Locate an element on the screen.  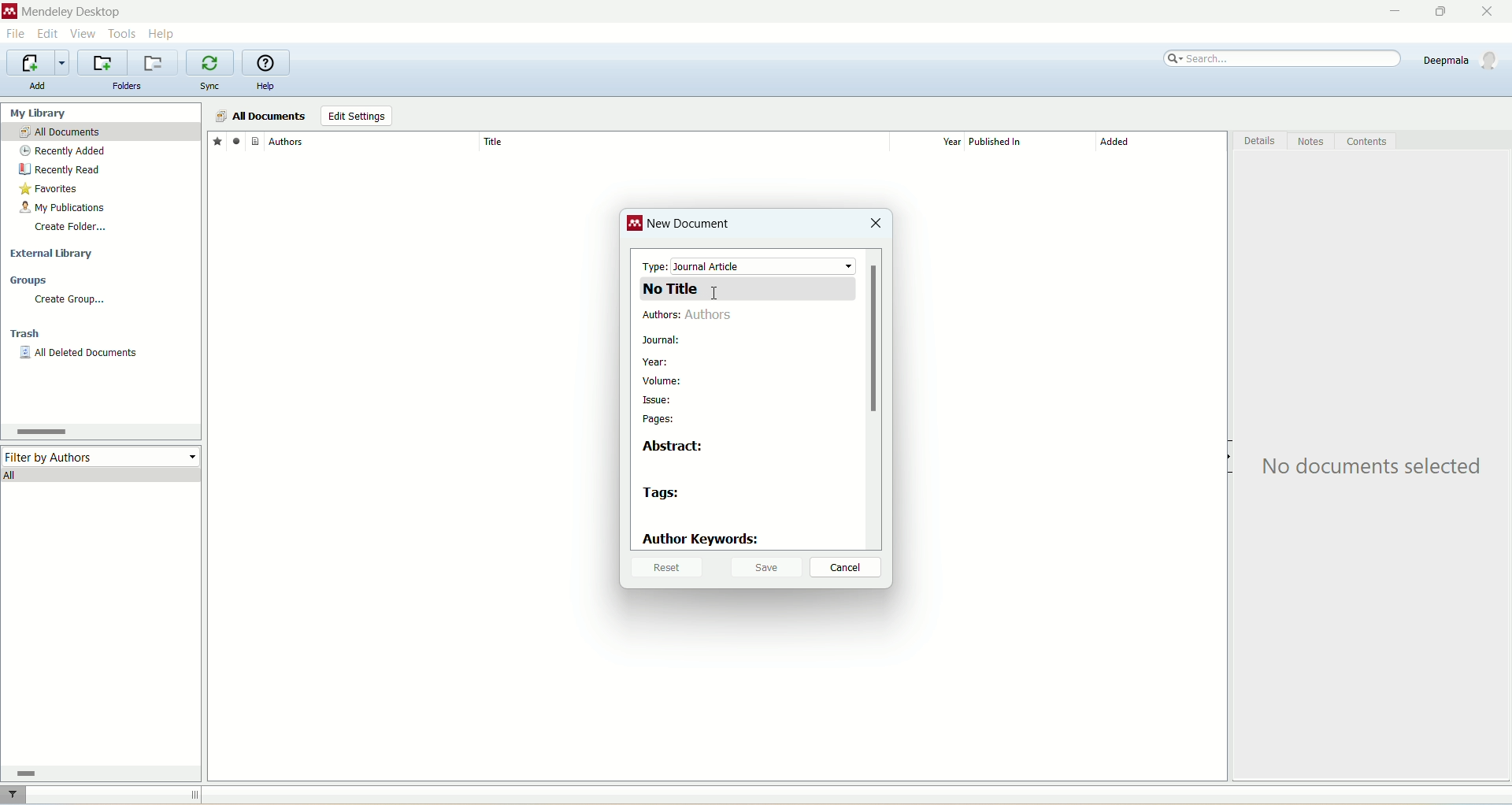
recently added is located at coordinates (63, 151).